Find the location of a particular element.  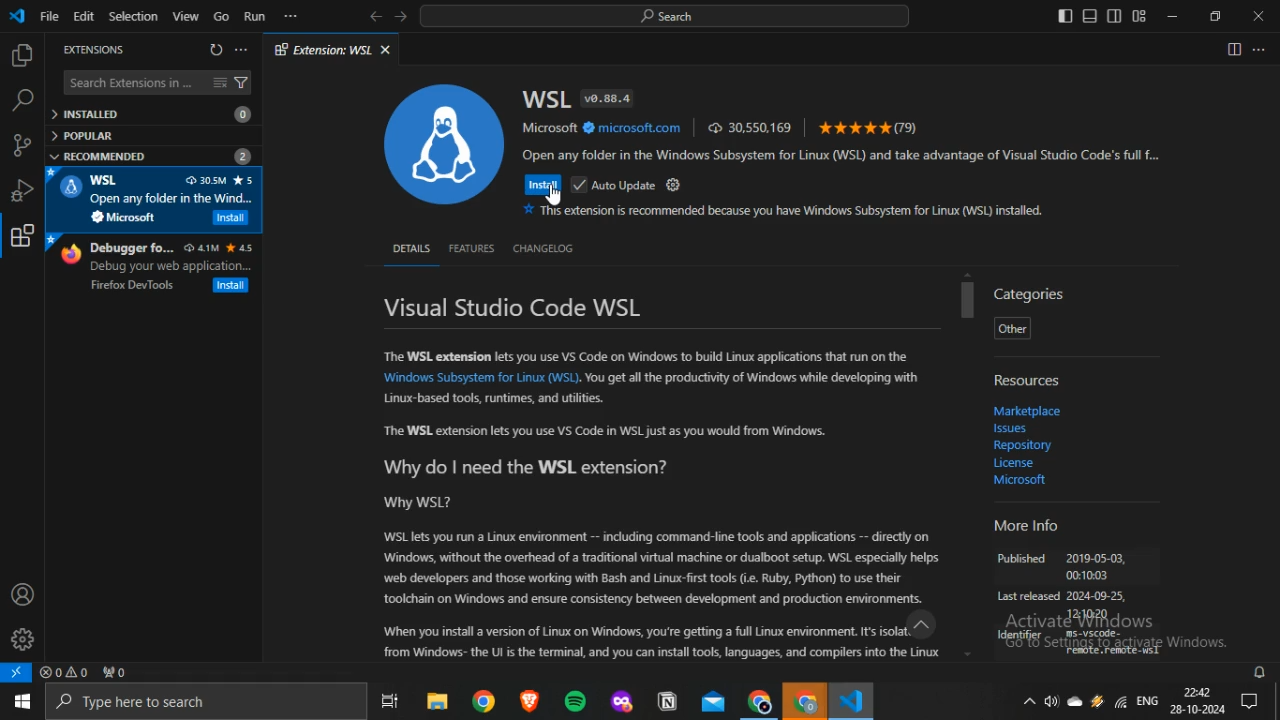

The WSL extension lets you use VS Code on Windows to build Linux applications that run on the is located at coordinates (644, 355).